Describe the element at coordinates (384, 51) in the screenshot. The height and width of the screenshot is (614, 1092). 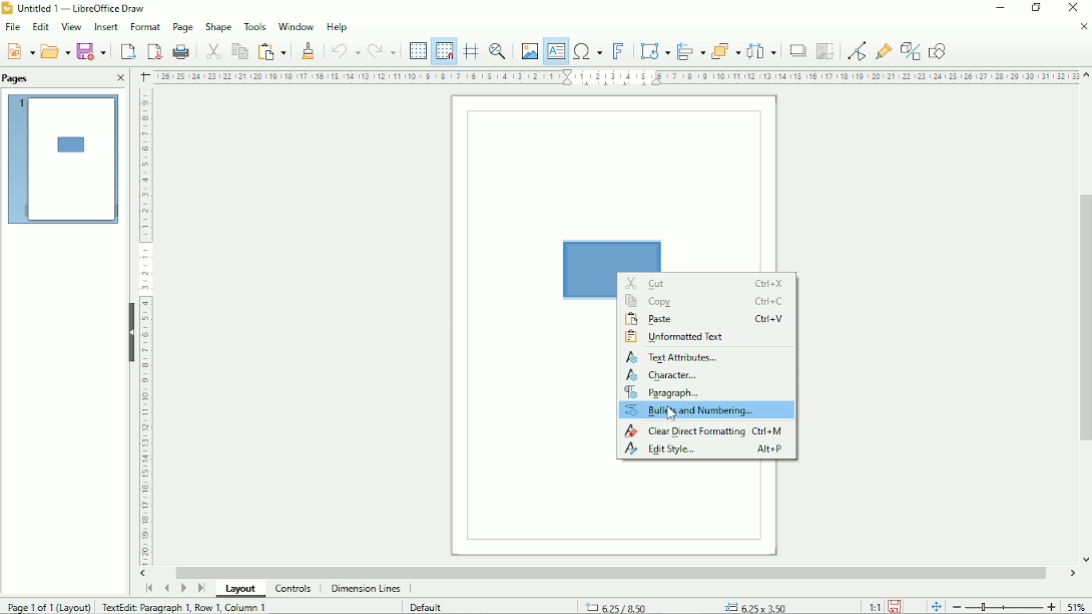
I see `Redo` at that location.